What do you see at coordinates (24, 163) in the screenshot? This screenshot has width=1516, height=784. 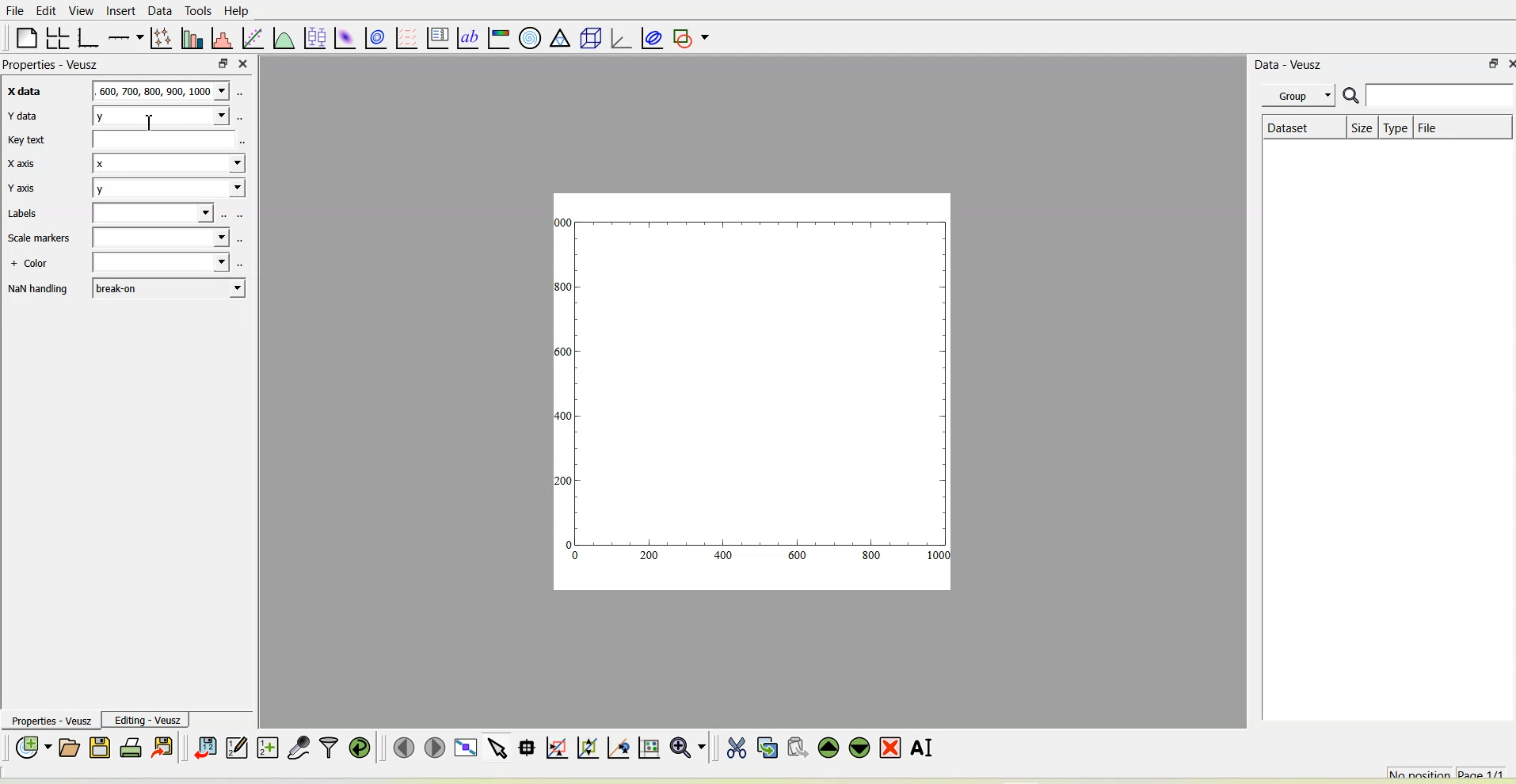 I see `X axis` at bounding box center [24, 163].